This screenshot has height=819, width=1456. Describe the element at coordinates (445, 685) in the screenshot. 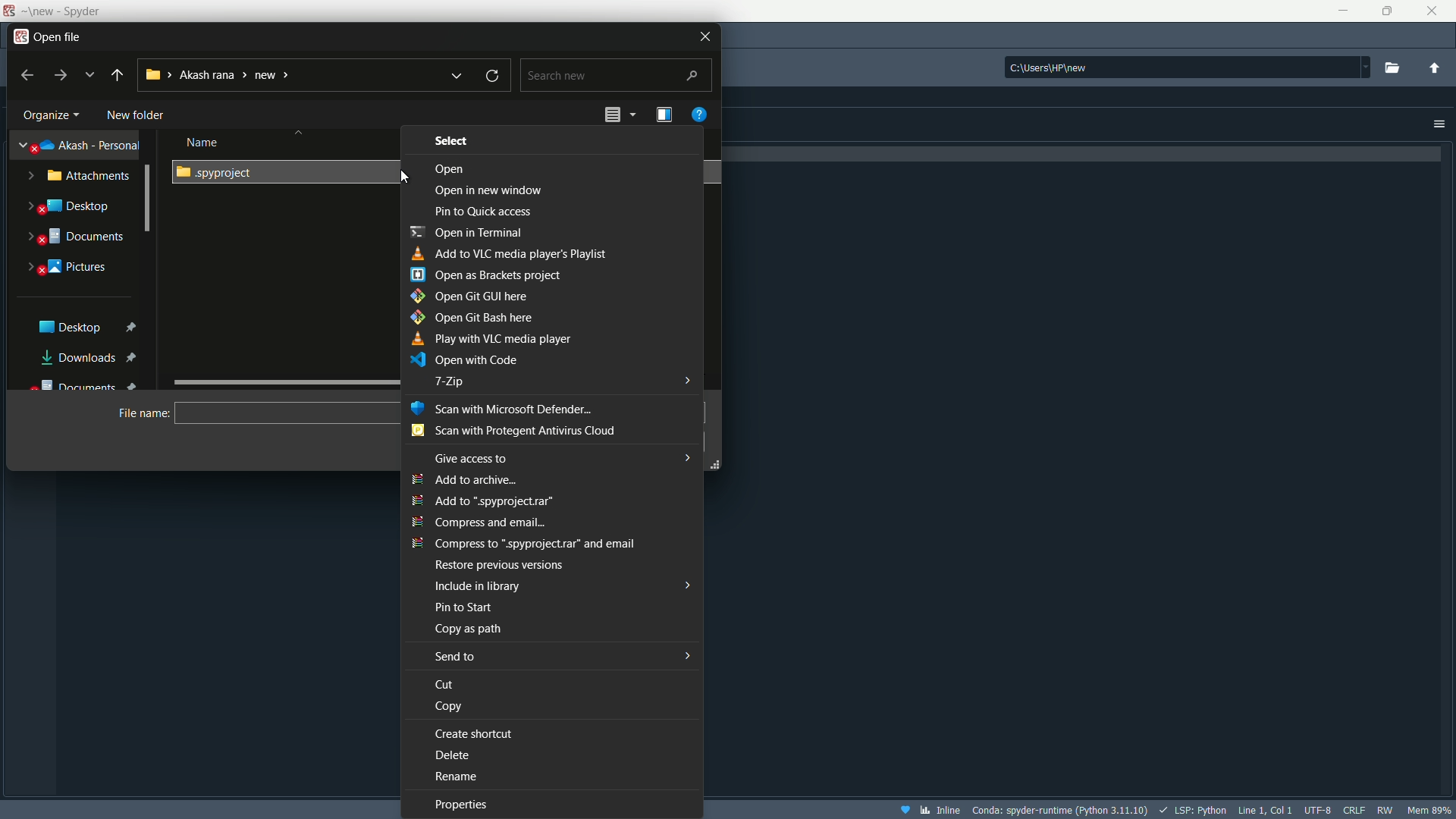

I see `Cut` at that location.